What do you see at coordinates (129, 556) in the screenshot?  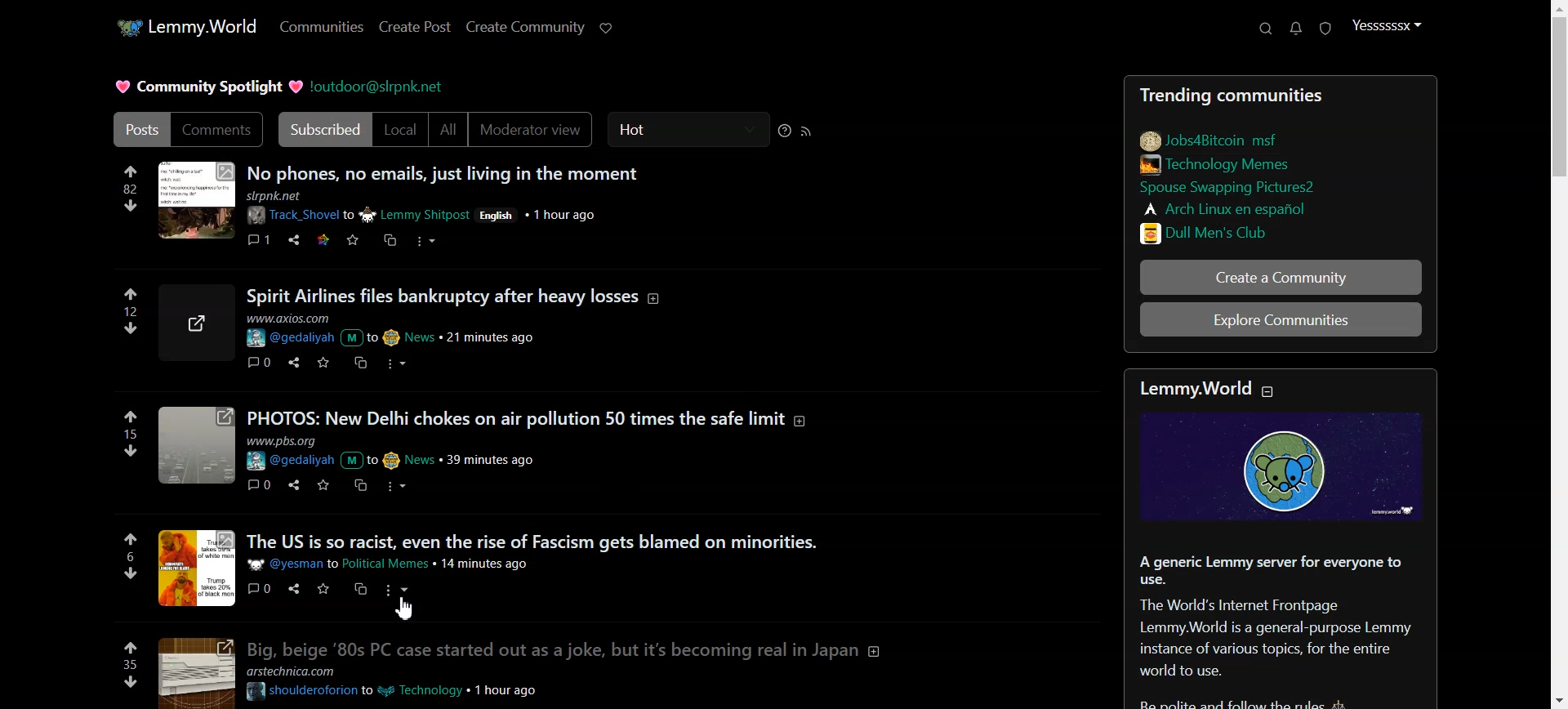 I see `numbers` at bounding box center [129, 556].